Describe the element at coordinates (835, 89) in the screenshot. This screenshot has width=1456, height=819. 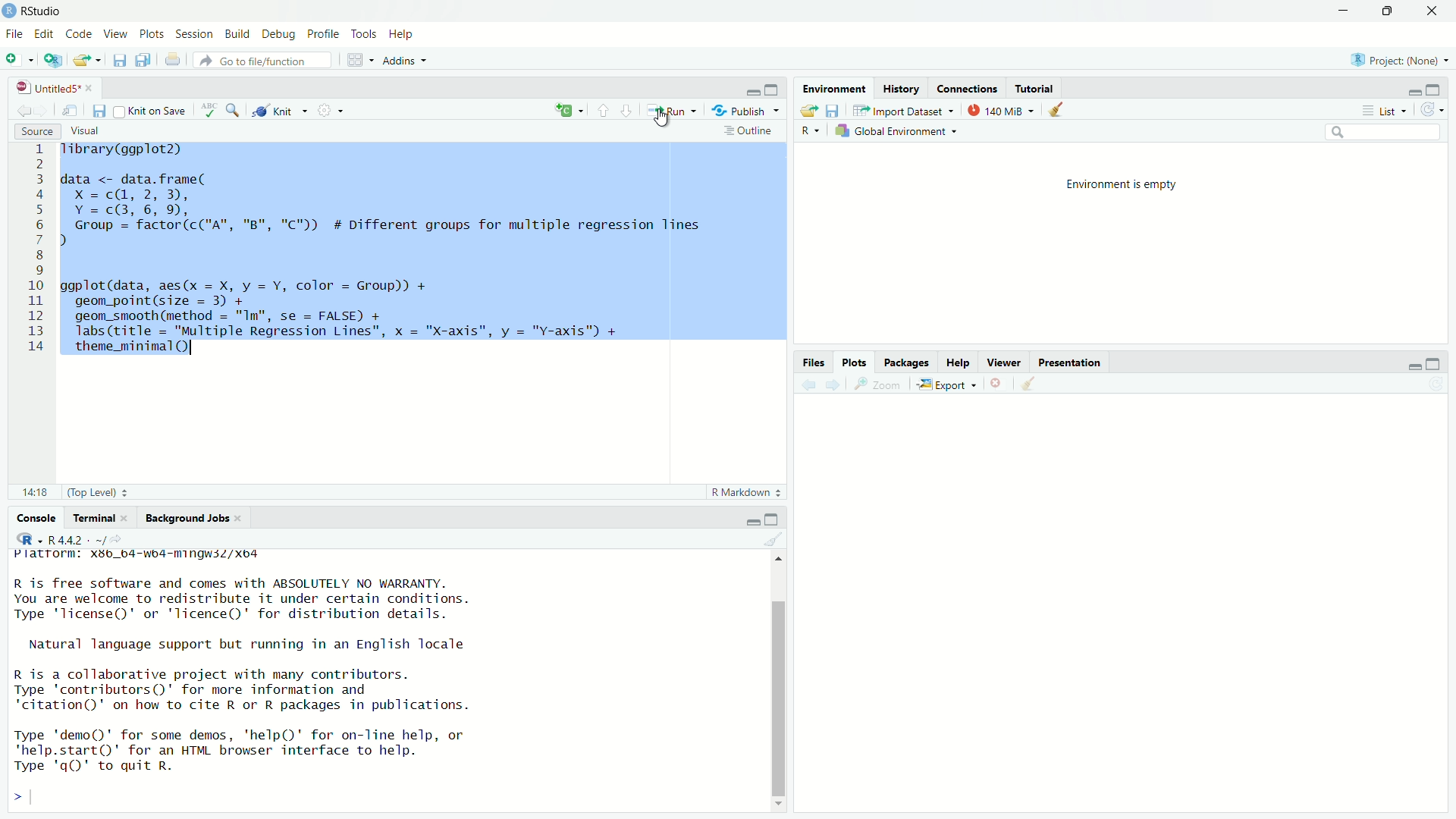
I see `Environment` at that location.